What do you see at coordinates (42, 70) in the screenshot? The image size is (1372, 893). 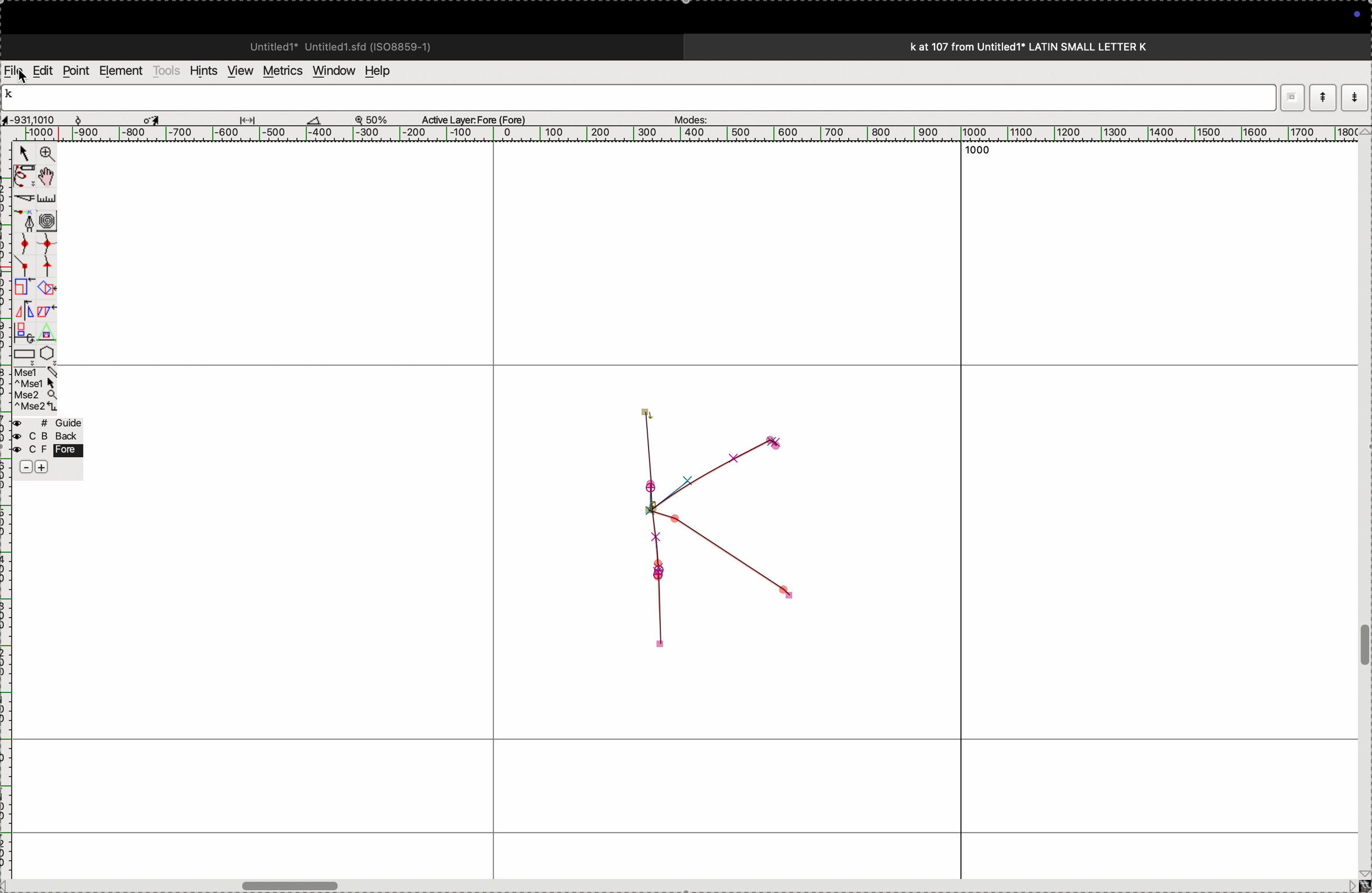 I see `edit` at bounding box center [42, 70].